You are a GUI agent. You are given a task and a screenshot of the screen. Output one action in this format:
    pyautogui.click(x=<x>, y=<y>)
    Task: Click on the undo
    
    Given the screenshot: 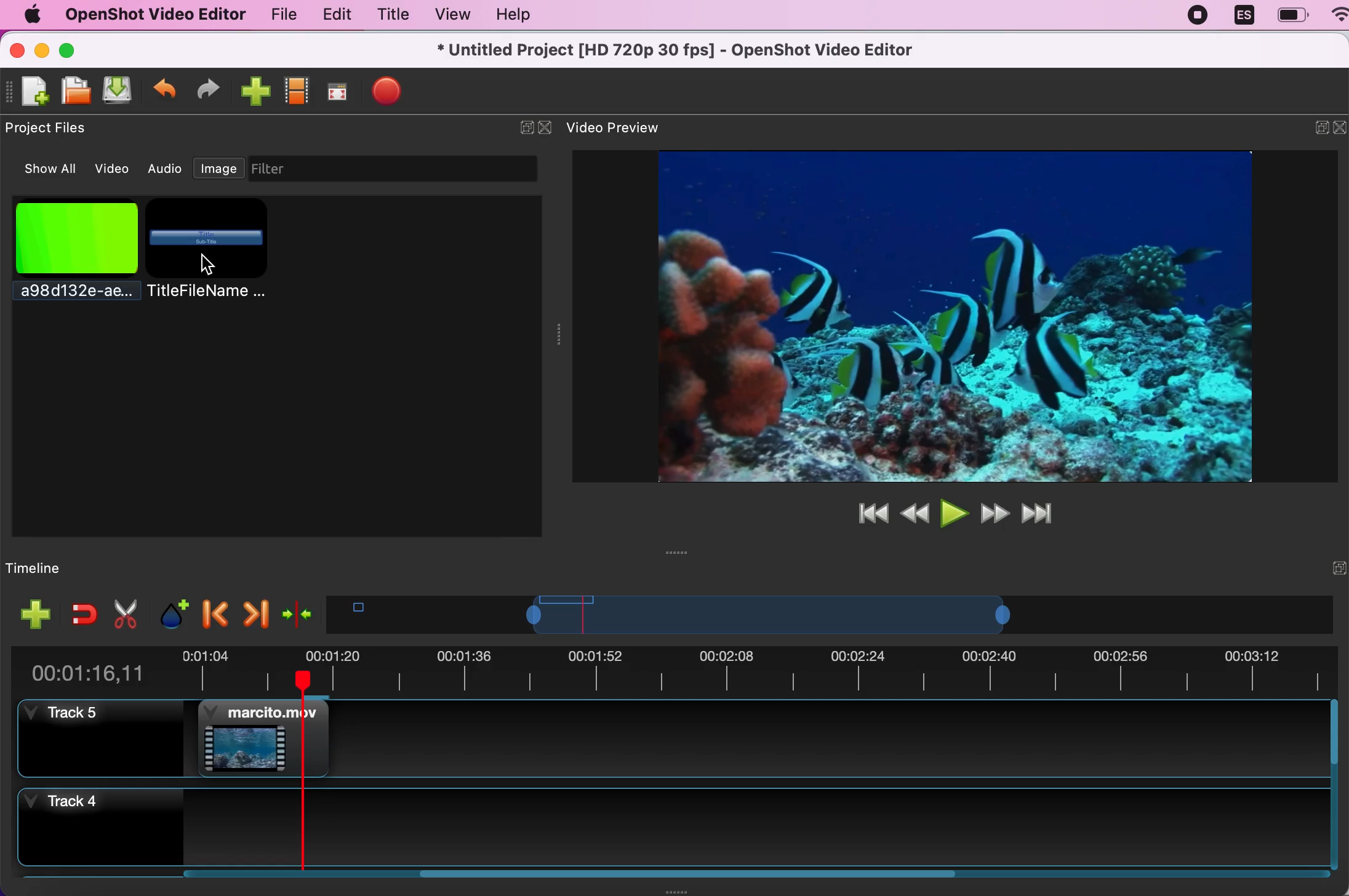 What is the action you would take?
    pyautogui.click(x=166, y=89)
    